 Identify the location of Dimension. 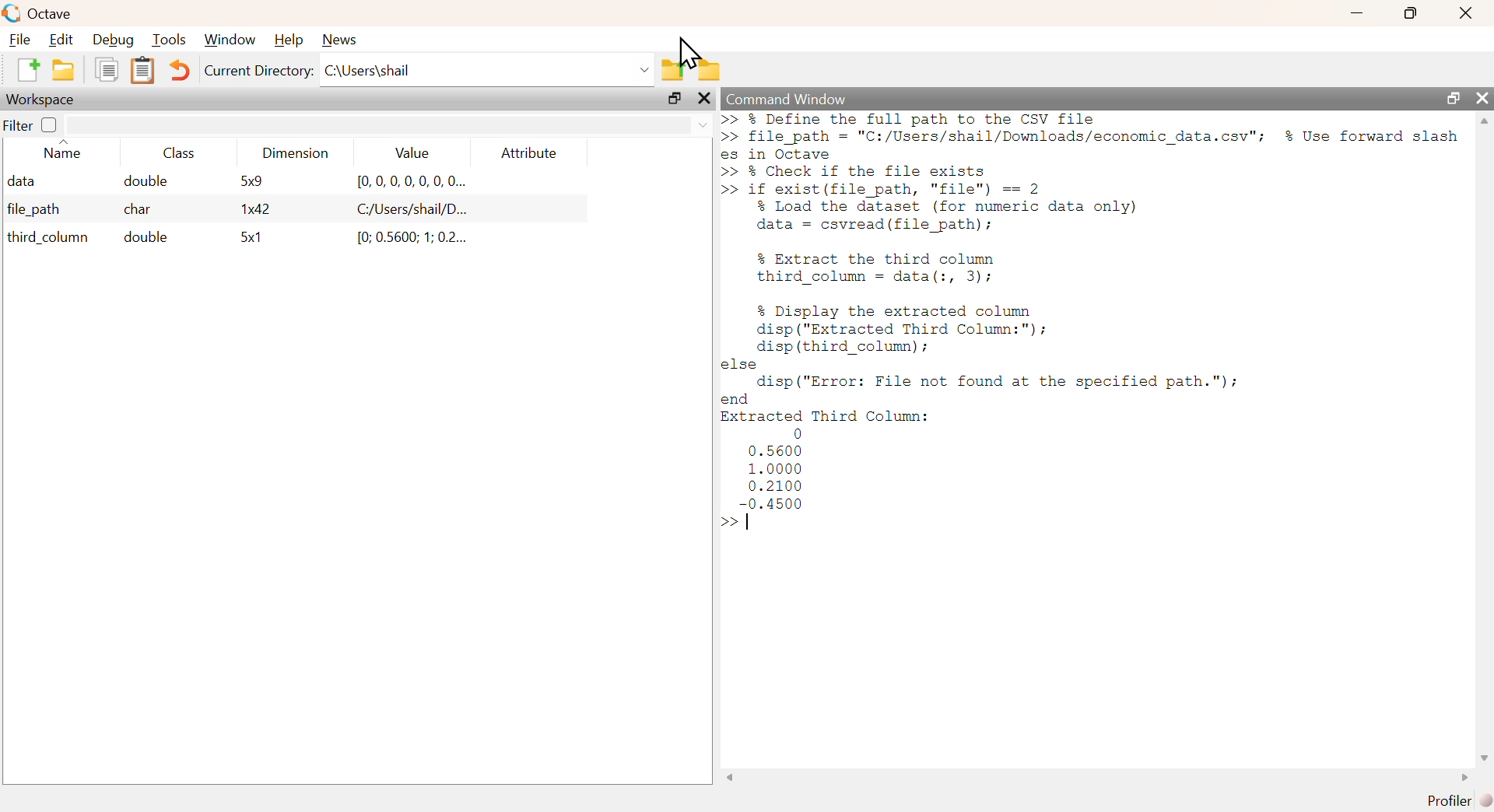
(300, 153).